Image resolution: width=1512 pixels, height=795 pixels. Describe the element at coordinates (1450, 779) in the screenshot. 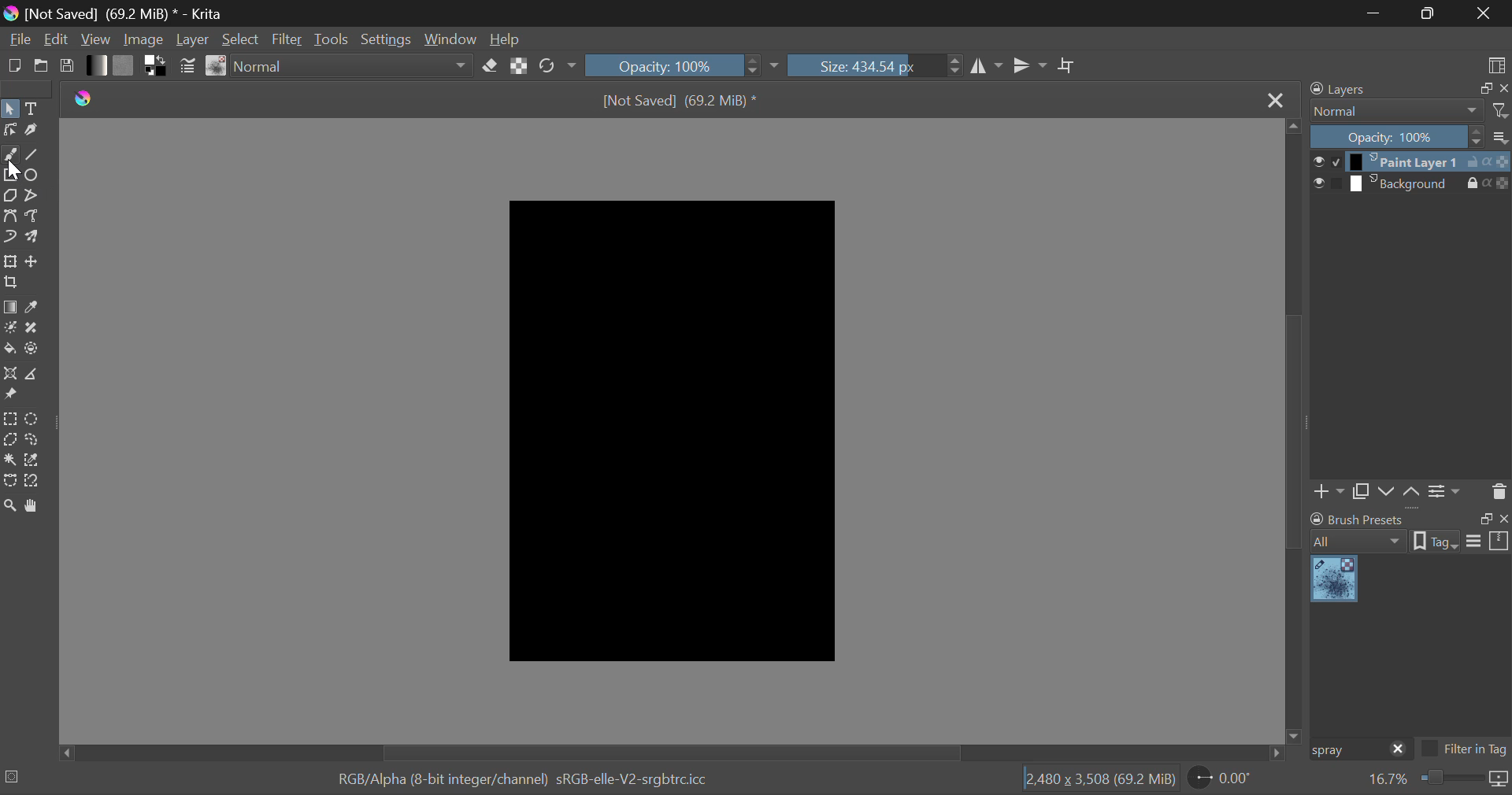

I see `zoom slider` at that location.